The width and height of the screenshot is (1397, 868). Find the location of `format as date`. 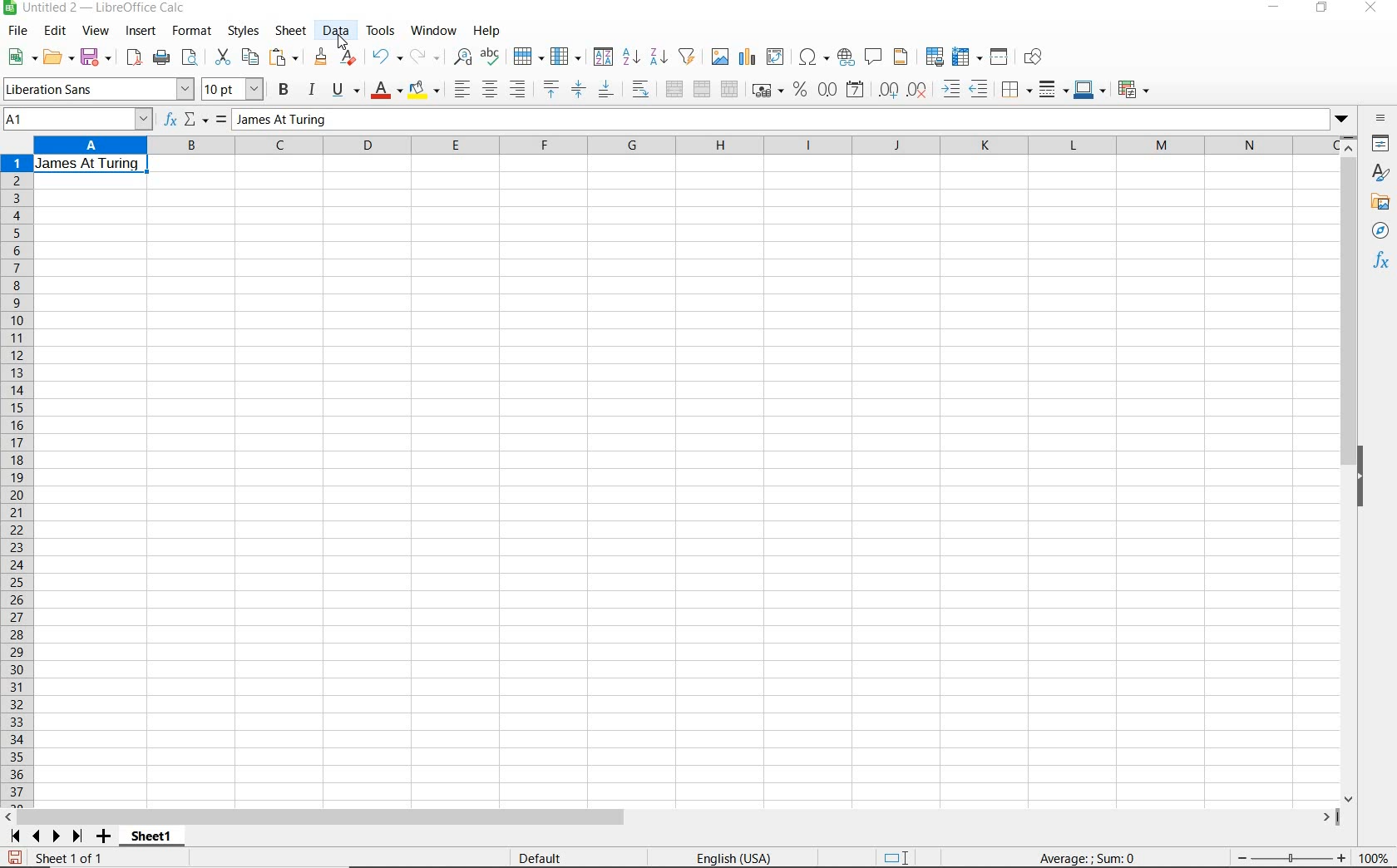

format as date is located at coordinates (856, 91).